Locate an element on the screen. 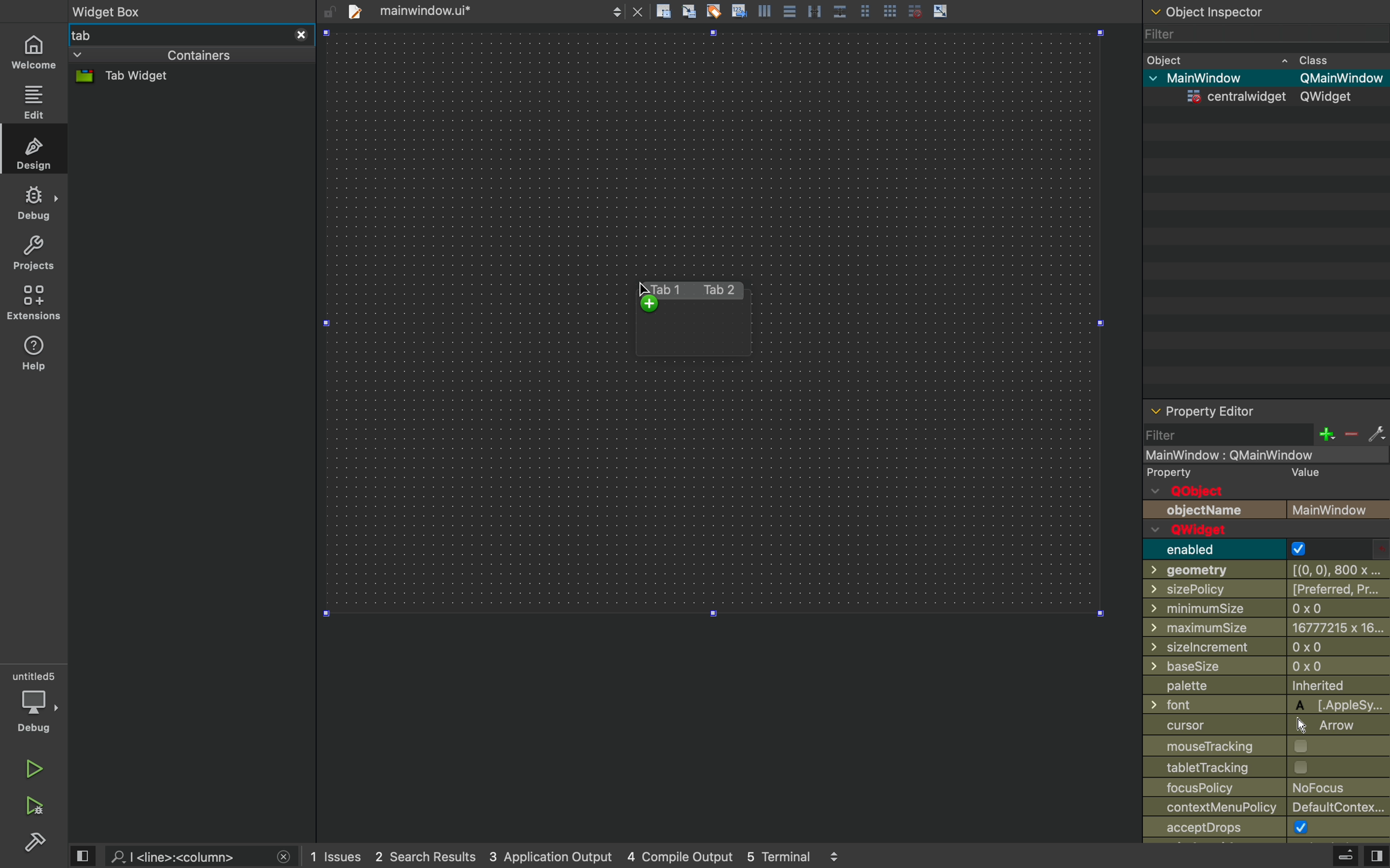 Image resolution: width=1390 pixels, height=868 pixels. filter is located at coordinates (1253, 34).